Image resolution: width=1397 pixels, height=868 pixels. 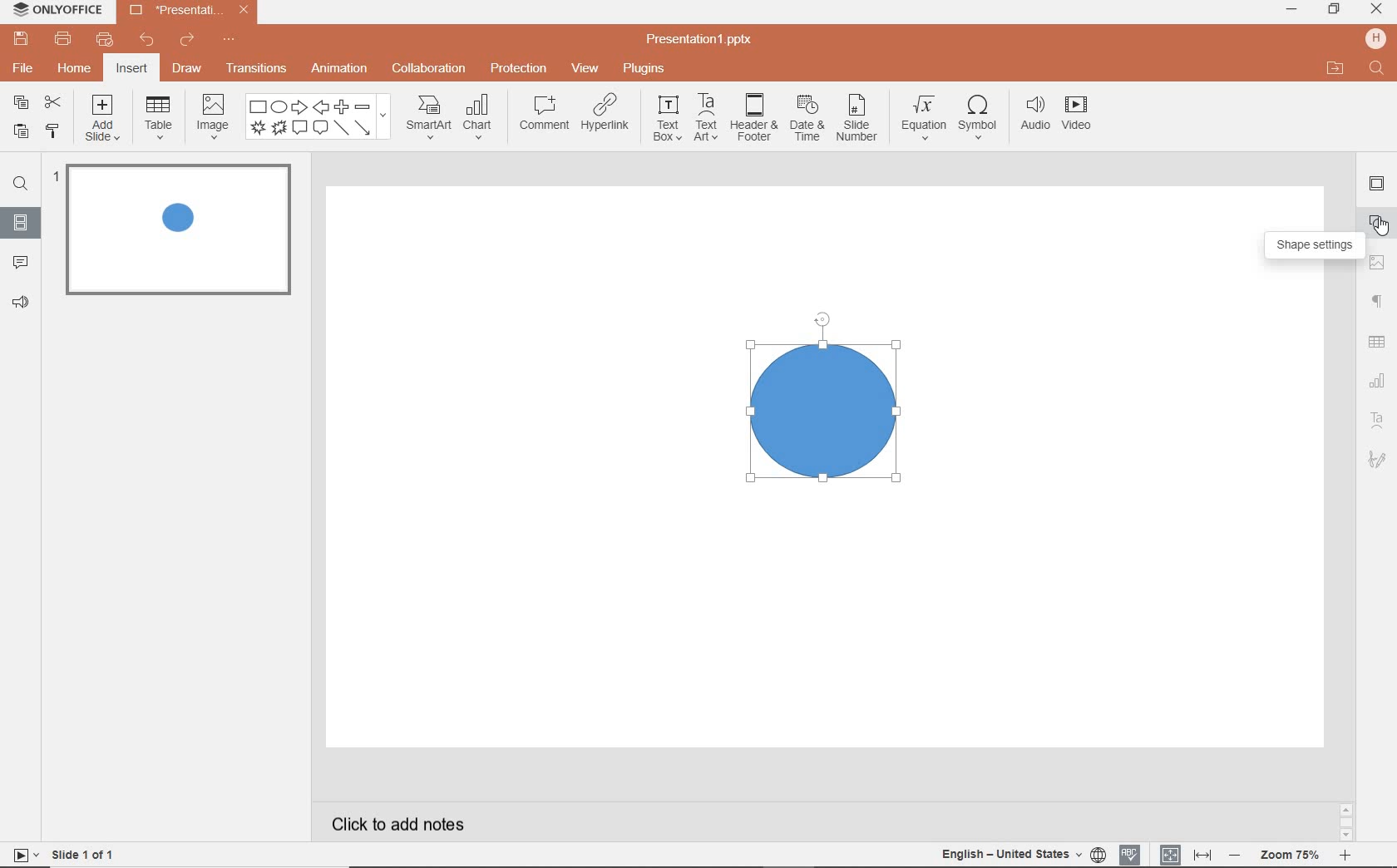 I want to click on find, so click(x=20, y=182).